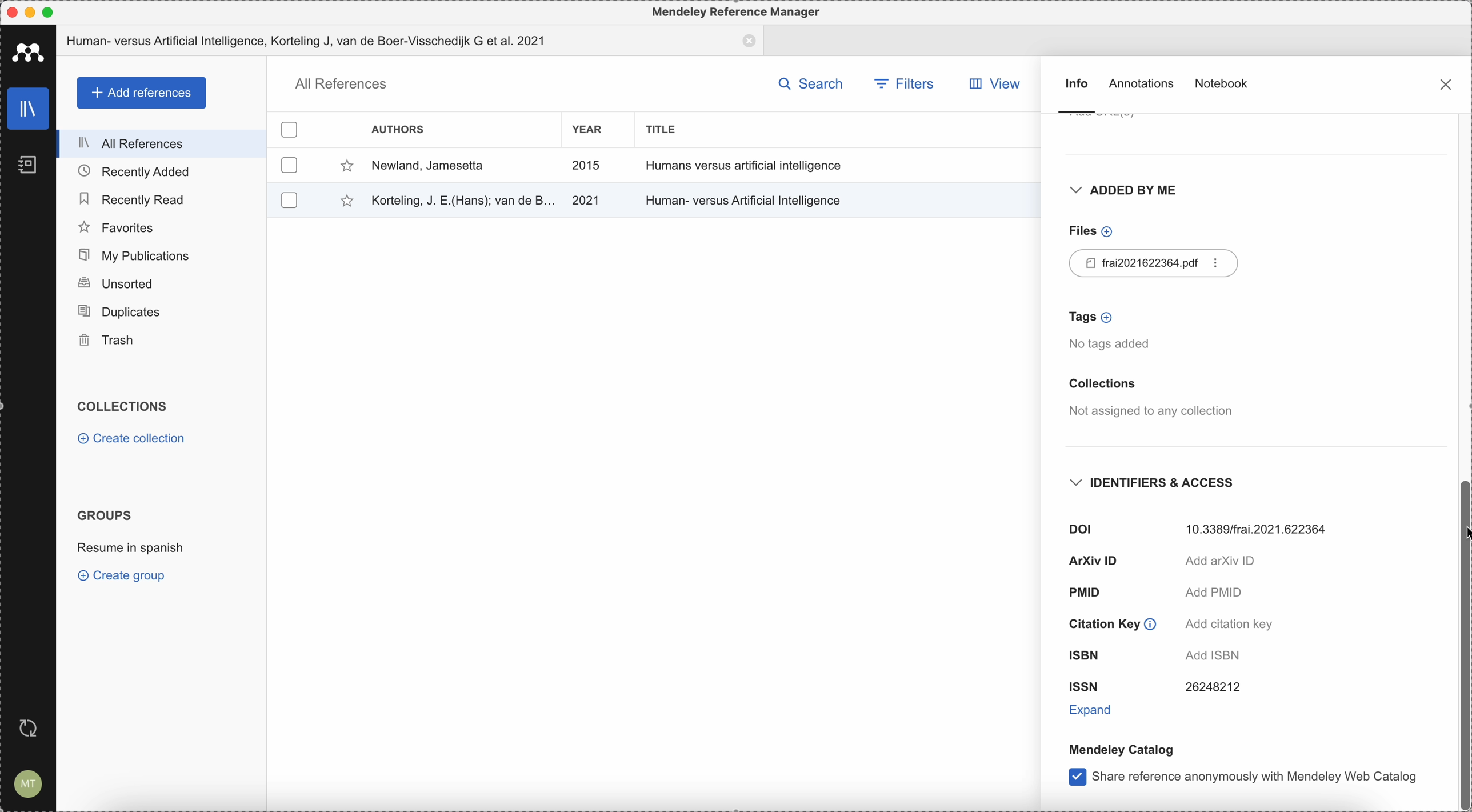 The height and width of the screenshot is (812, 1472). Describe the element at coordinates (1114, 331) in the screenshot. I see `tags no tags added` at that location.